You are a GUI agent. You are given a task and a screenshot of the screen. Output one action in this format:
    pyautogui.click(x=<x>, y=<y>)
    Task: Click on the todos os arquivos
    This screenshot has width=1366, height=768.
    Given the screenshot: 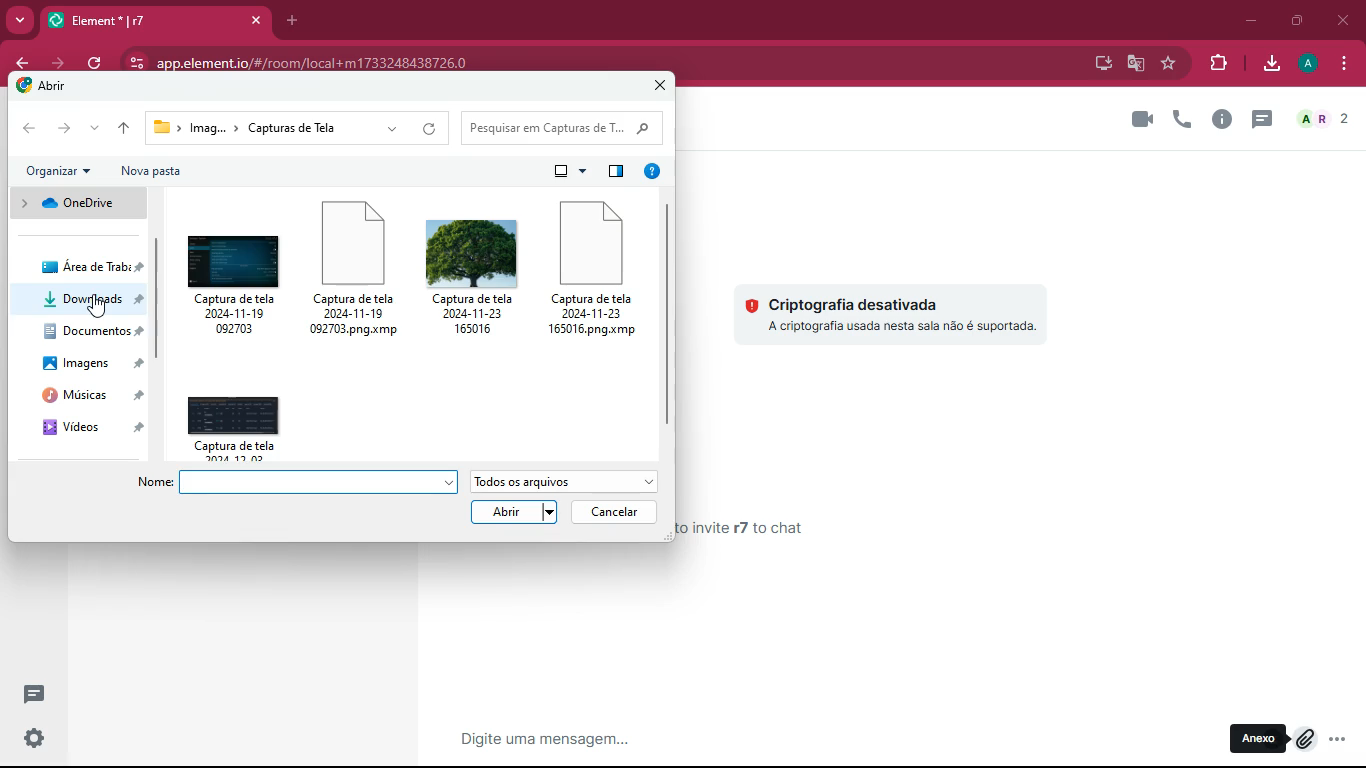 What is the action you would take?
    pyautogui.click(x=565, y=481)
    